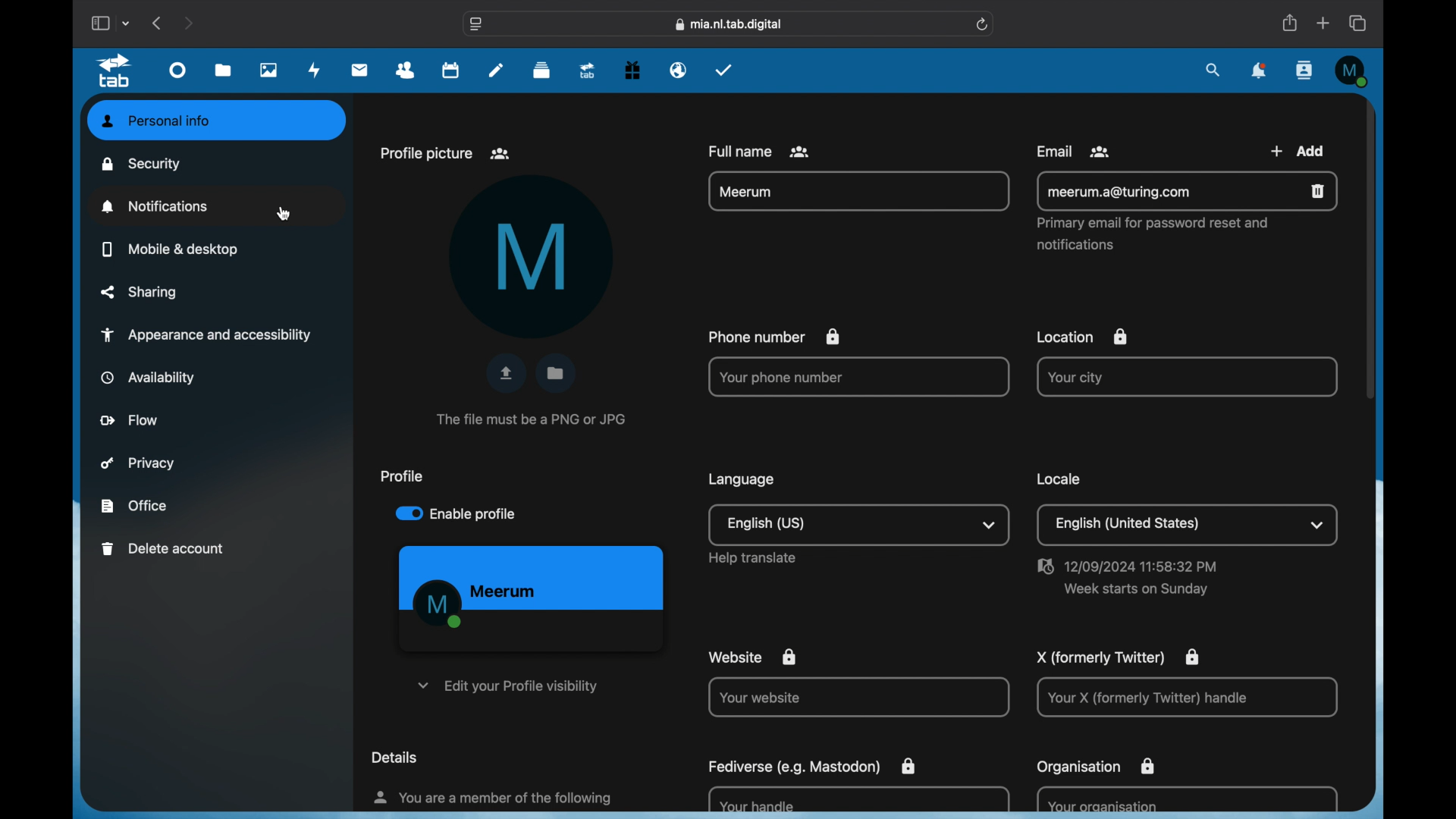  Describe the element at coordinates (542, 71) in the screenshot. I see `deck` at that location.